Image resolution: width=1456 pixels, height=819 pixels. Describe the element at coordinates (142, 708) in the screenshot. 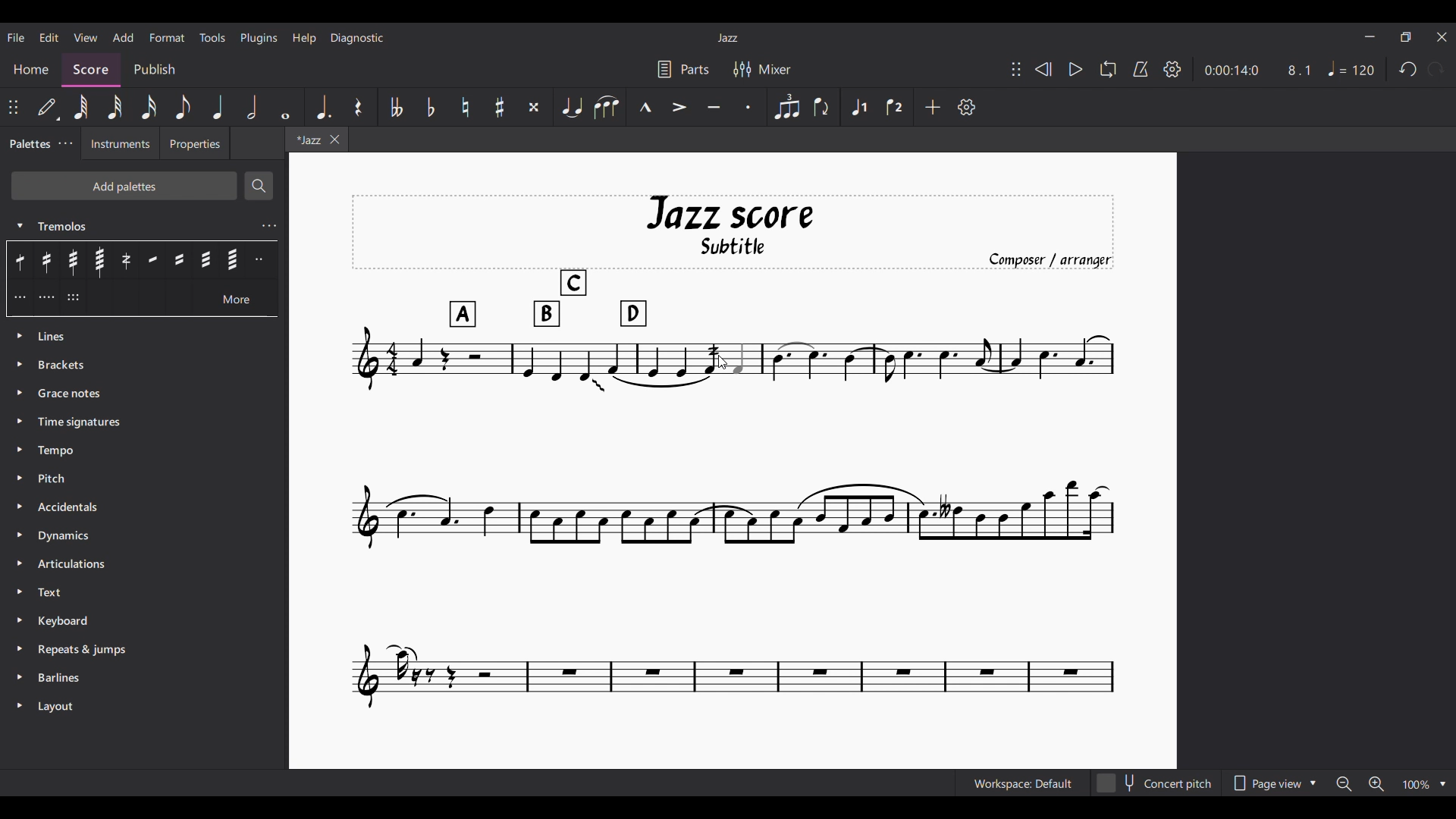

I see `Layout` at that location.